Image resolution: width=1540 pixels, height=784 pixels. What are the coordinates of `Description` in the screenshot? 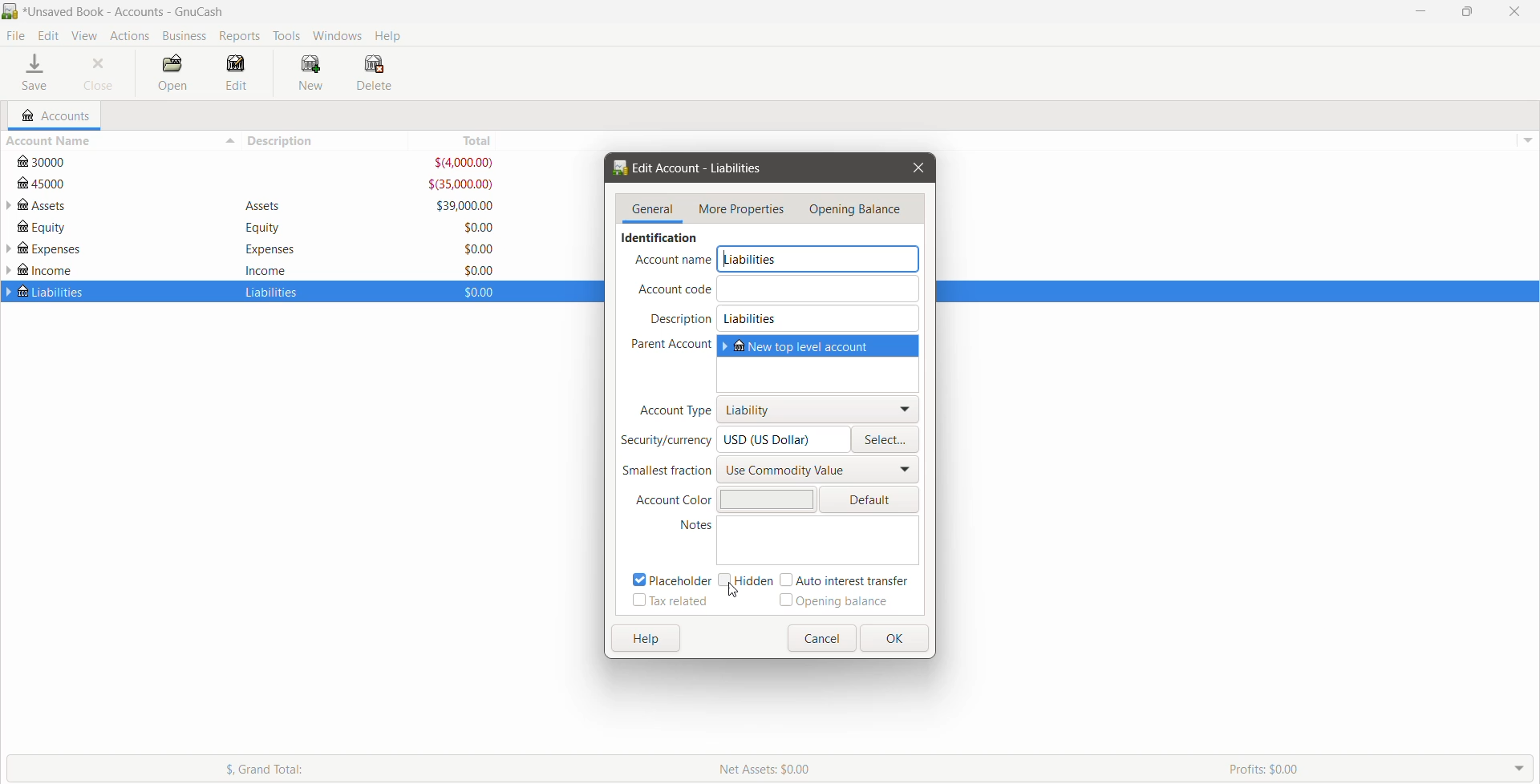 It's located at (681, 319).